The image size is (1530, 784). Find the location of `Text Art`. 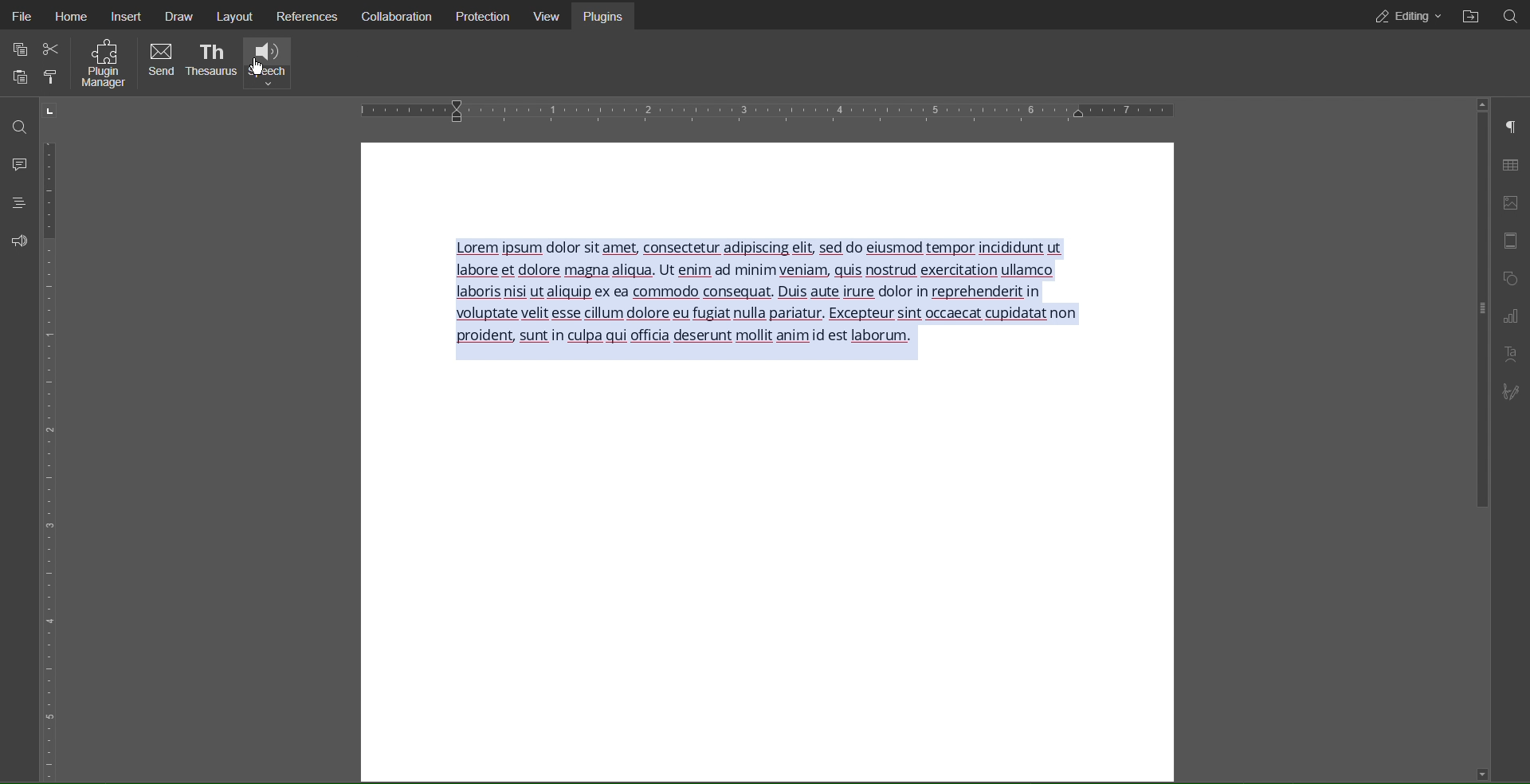

Text Art is located at coordinates (1511, 354).